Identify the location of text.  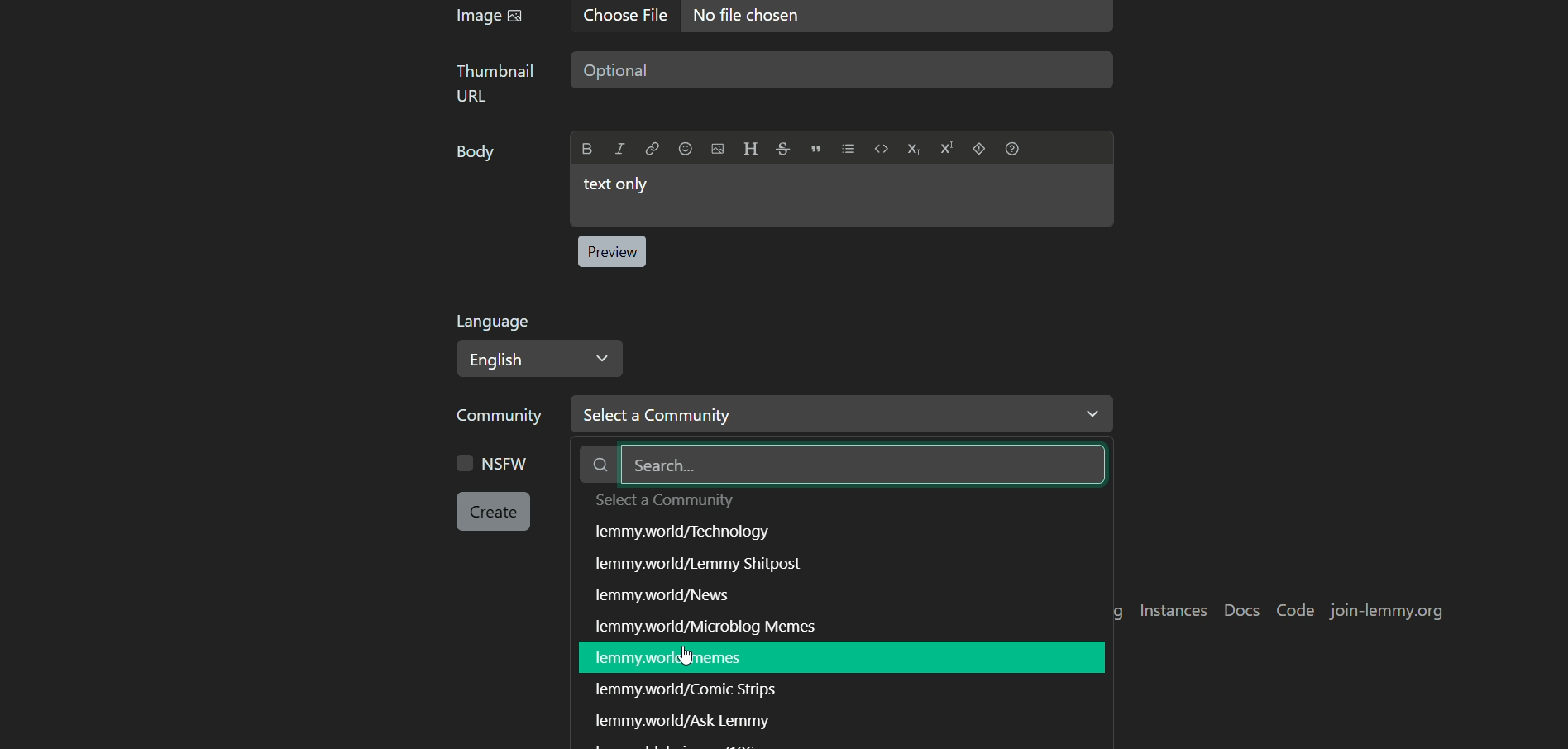
(689, 689).